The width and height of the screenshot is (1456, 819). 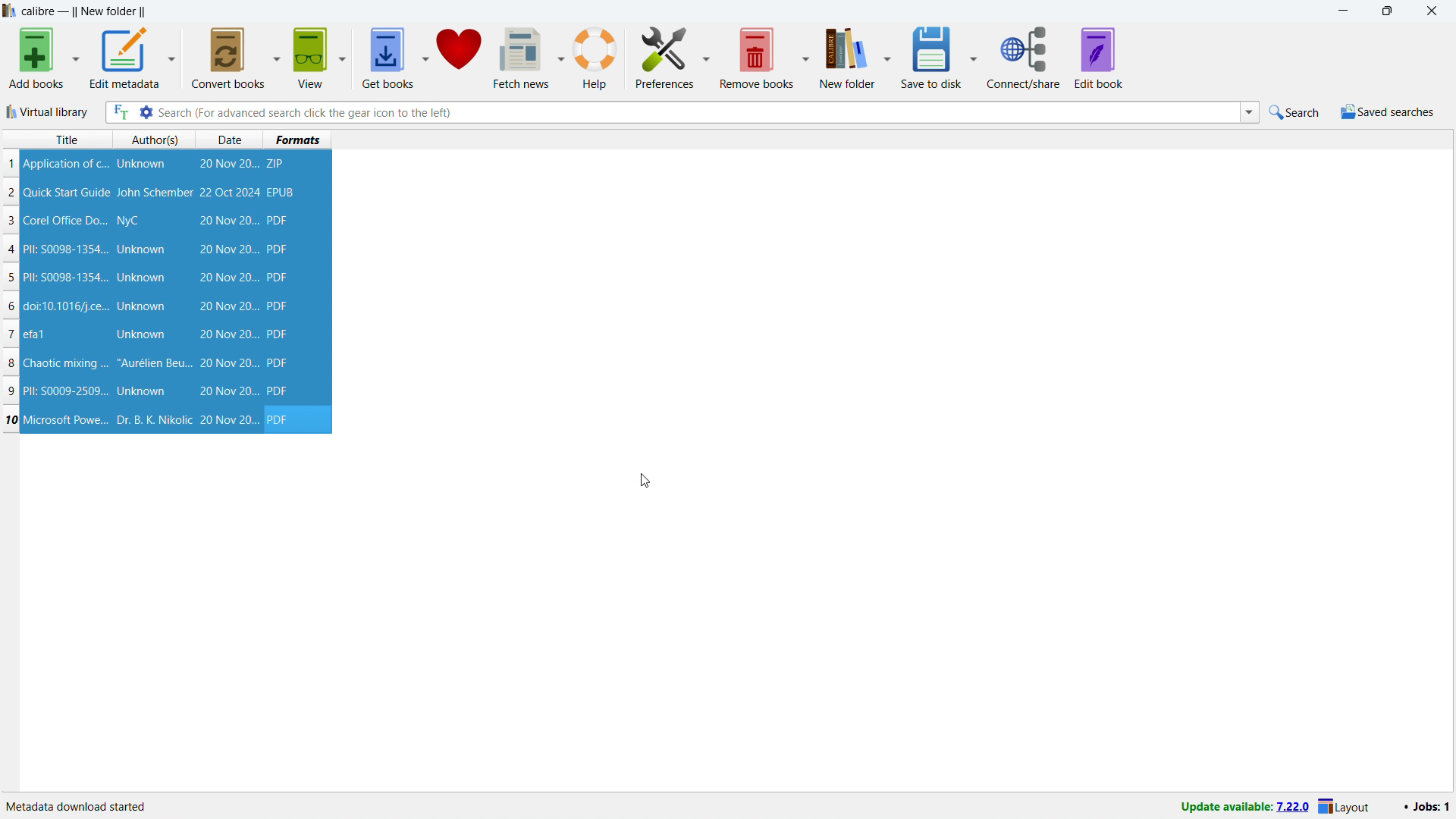 What do you see at coordinates (975, 57) in the screenshot?
I see `save to disk options` at bounding box center [975, 57].